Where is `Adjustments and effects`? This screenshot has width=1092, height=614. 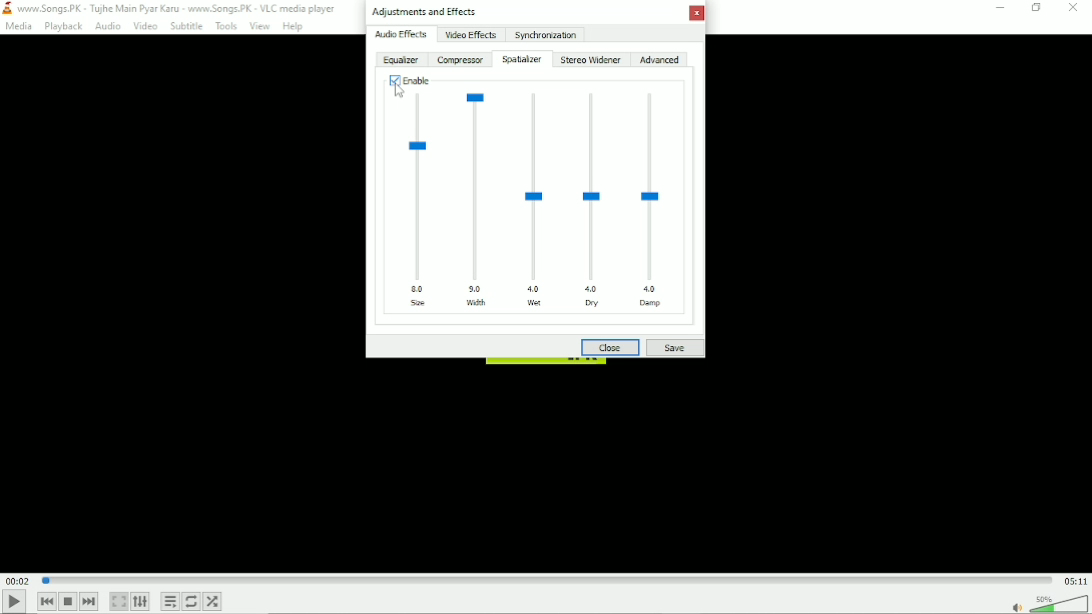 Adjustments and effects is located at coordinates (423, 11).